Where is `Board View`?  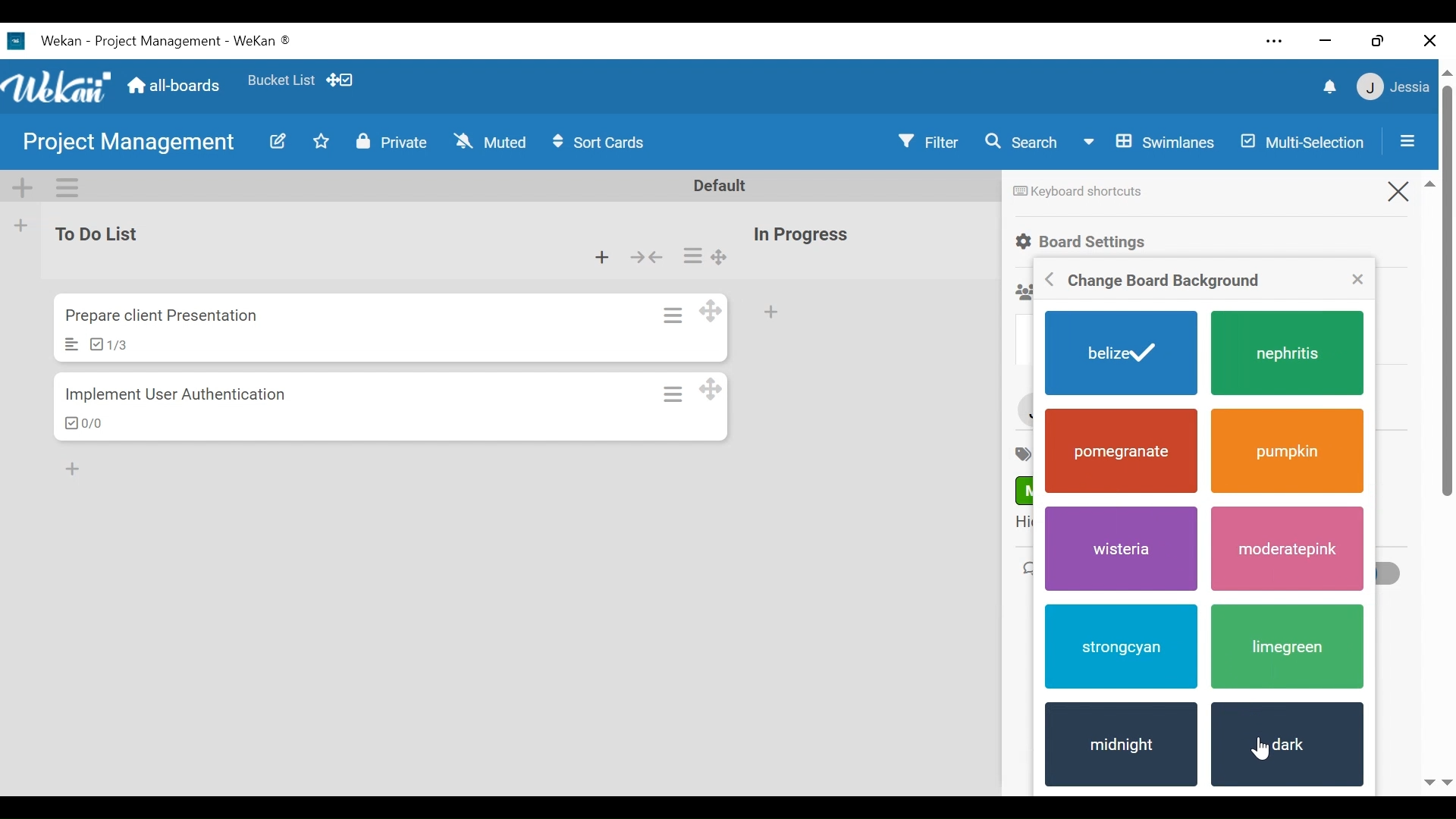 Board View is located at coordinates (1147, 143).